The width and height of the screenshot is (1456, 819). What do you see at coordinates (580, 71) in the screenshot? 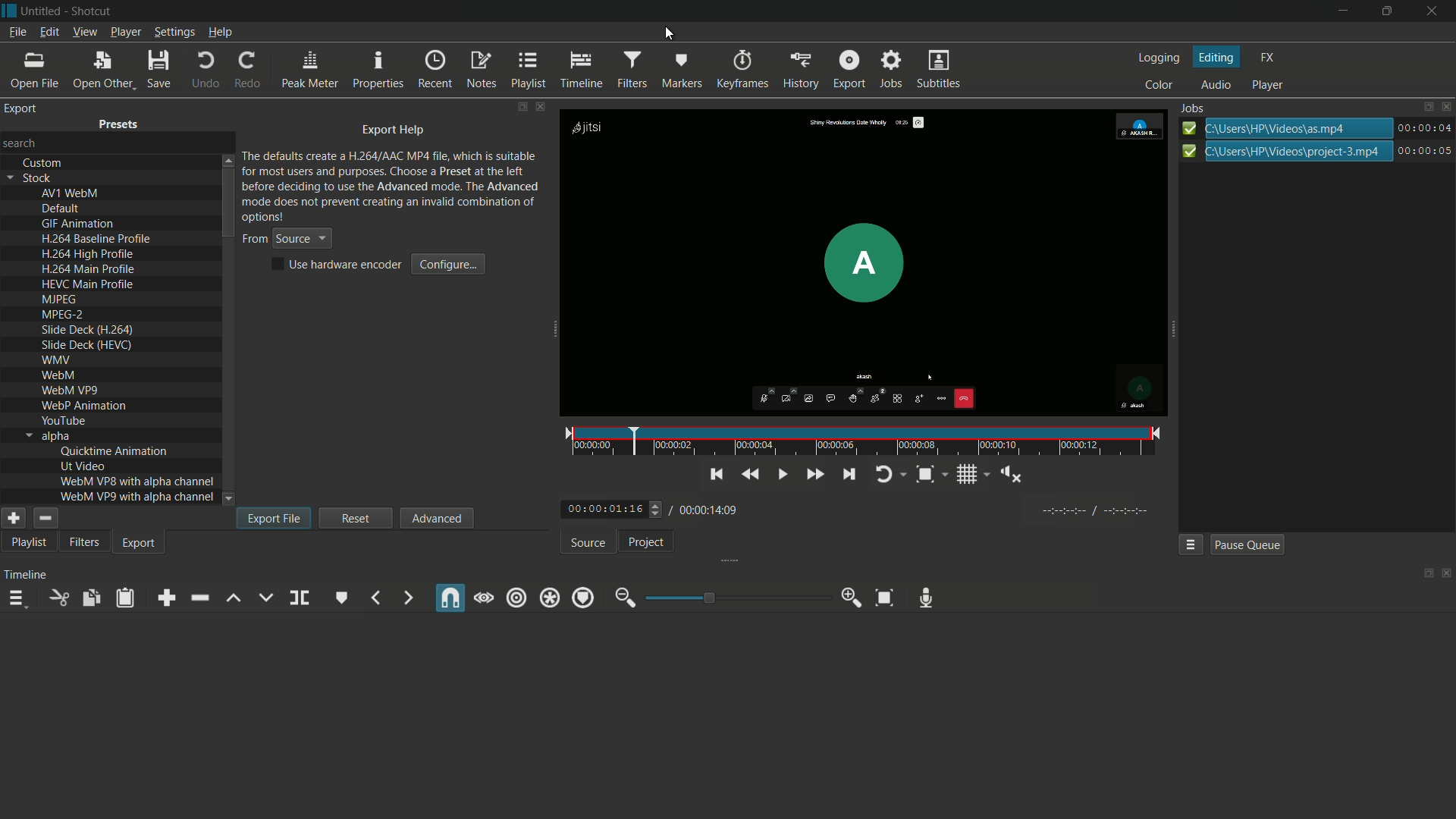
I see `timeline` at bounding box center [580, 71].